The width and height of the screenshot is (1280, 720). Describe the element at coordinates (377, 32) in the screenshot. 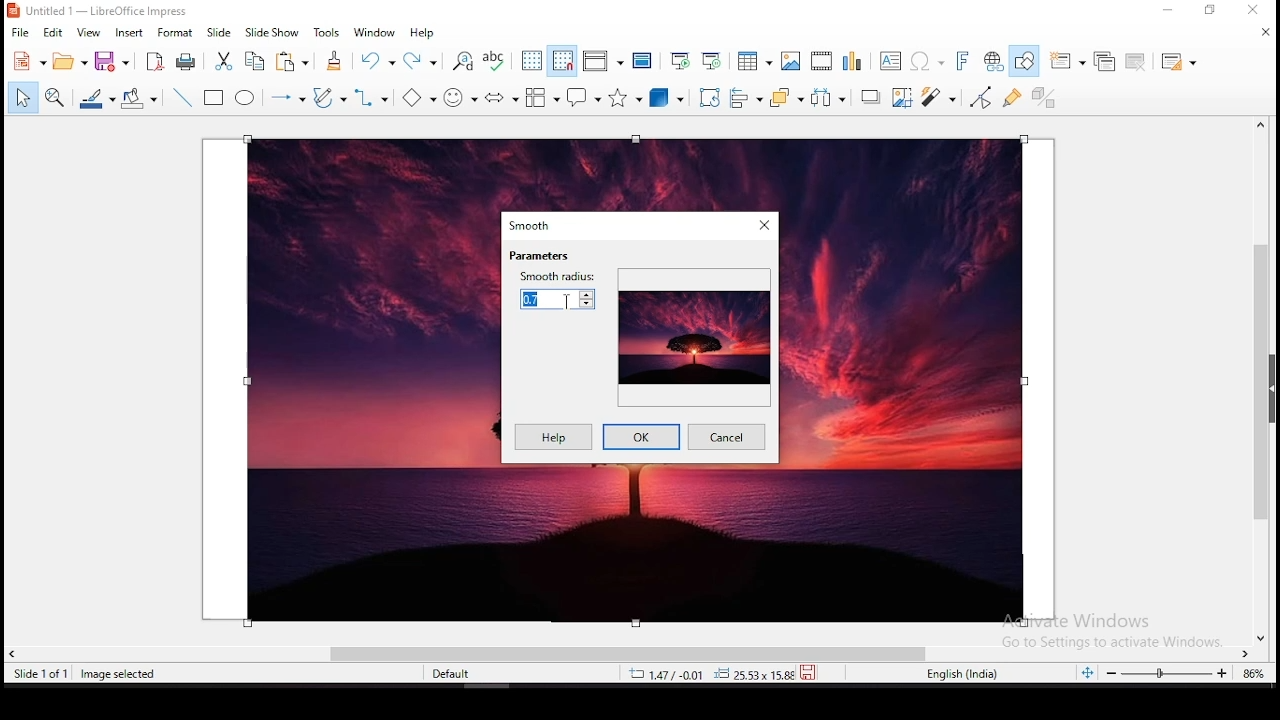

I see `window` at that location.